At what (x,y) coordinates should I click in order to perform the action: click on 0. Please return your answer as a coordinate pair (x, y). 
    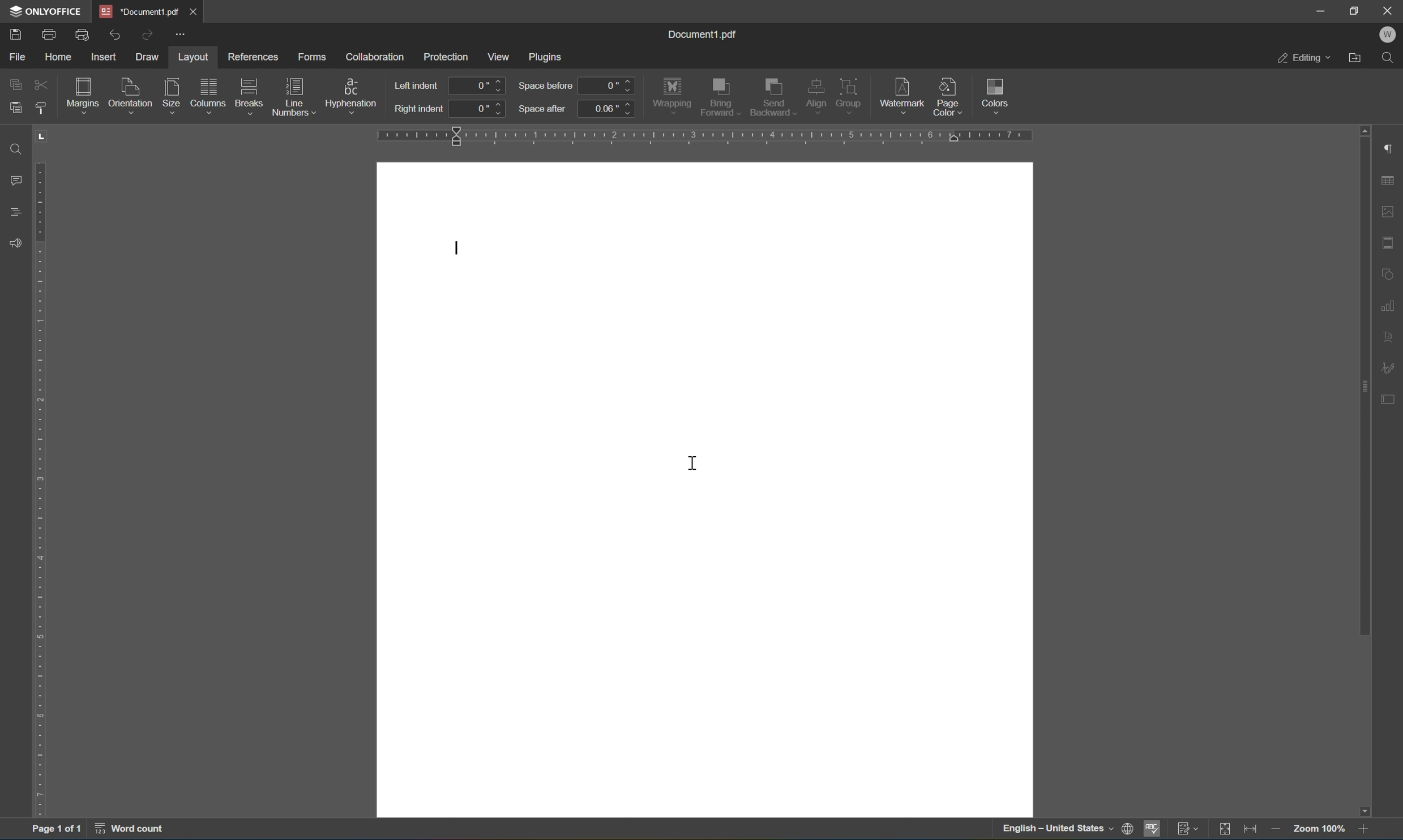
    Looking at the image, I should click on (480, 108).